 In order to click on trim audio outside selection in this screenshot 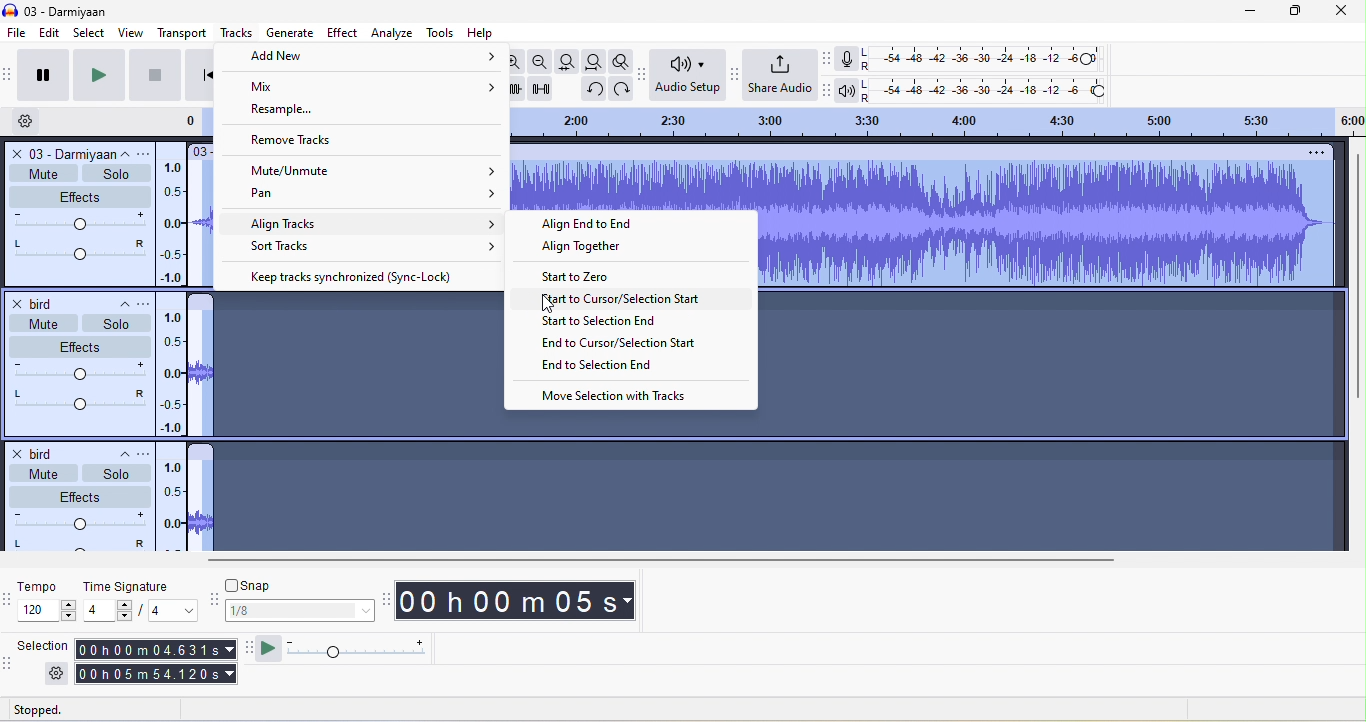, I will do `click(514, 89)`.